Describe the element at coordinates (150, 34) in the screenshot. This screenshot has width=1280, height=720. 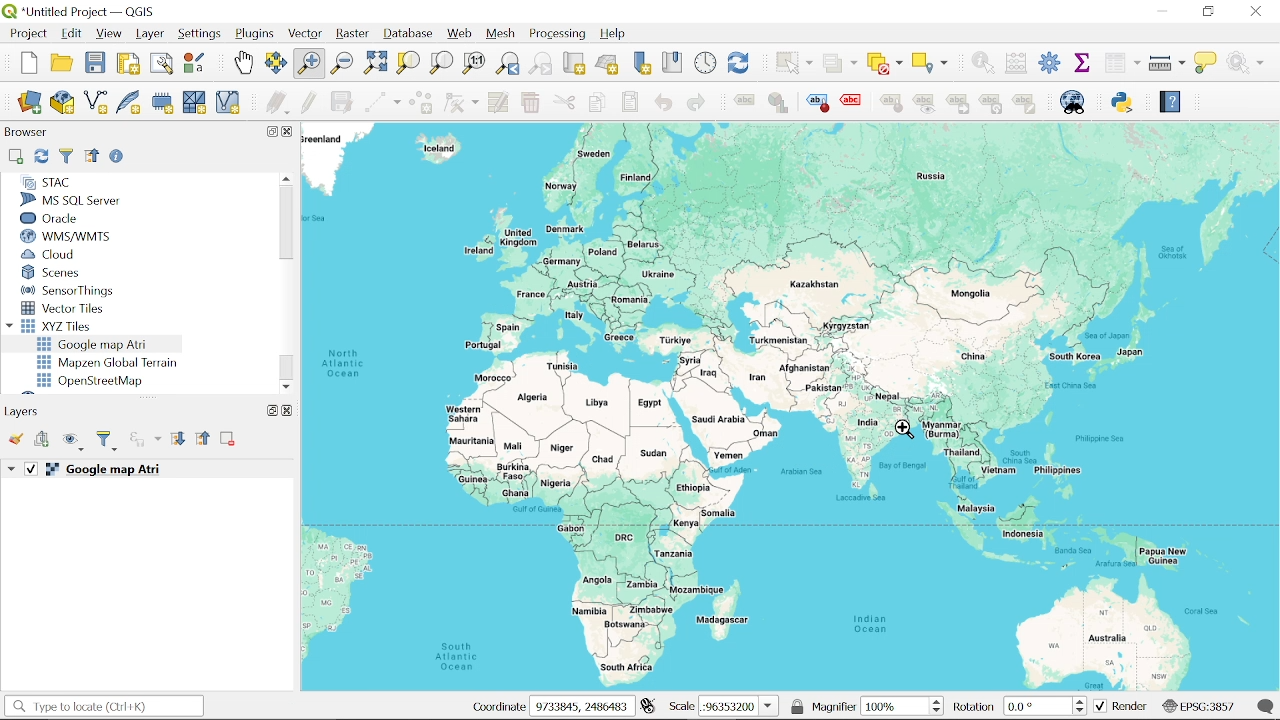
I see `Layer` at that location.